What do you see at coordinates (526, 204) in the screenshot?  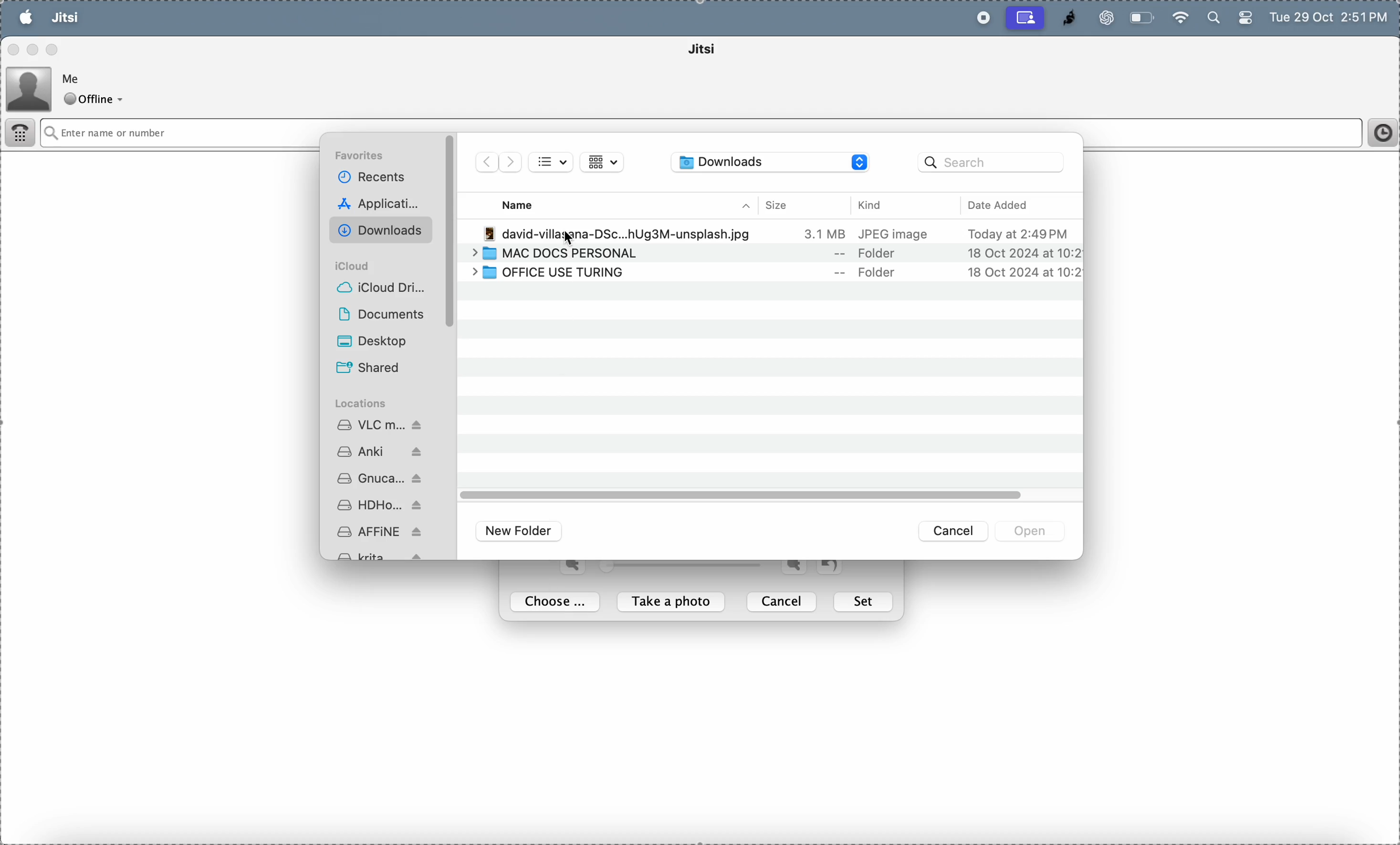 I see `name` at bounding box center [526, 204].